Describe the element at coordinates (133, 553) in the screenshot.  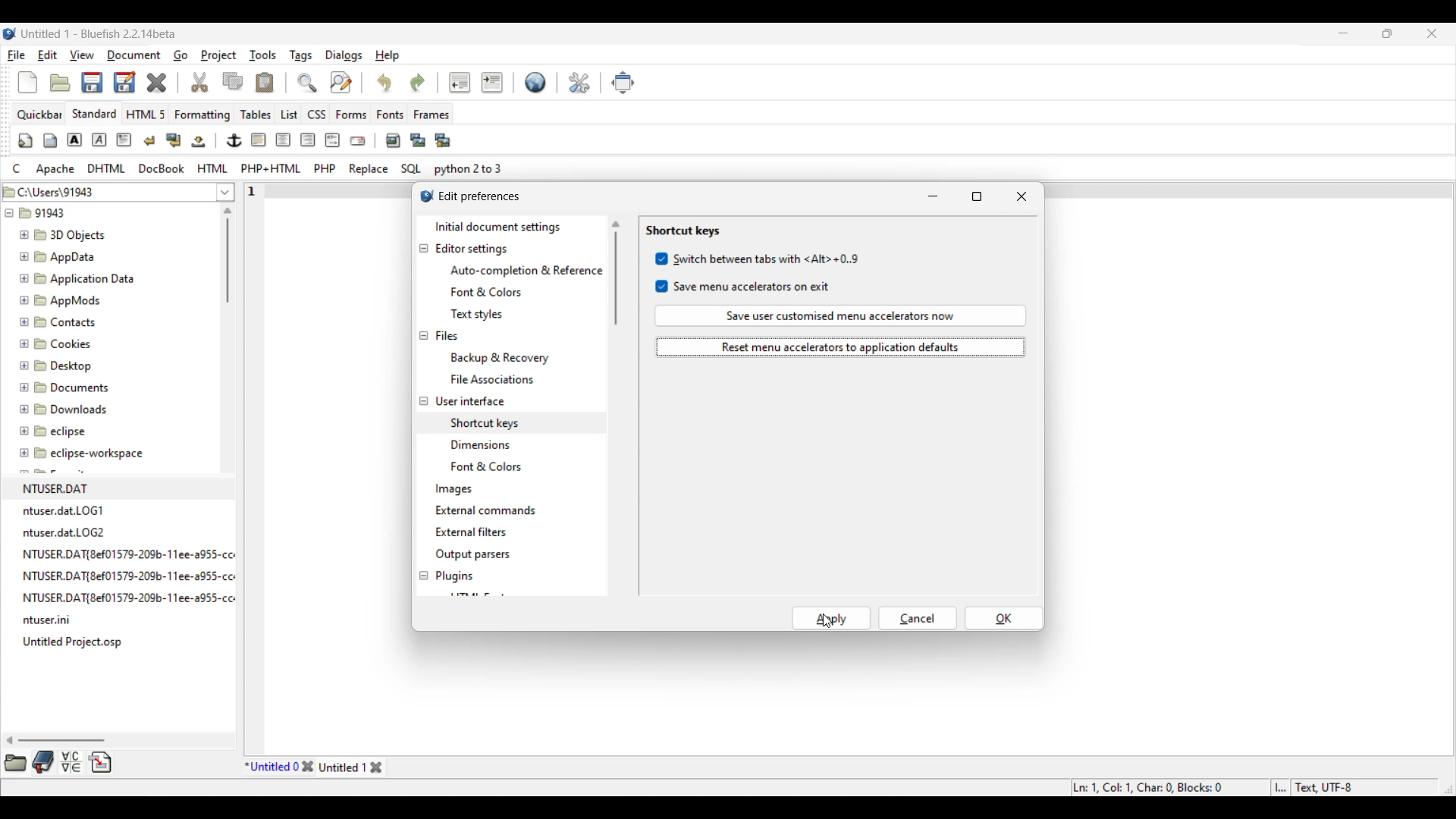
I see `NTUSER.DAT{8f01579-209b-11ee-2955-cc:` at that location.